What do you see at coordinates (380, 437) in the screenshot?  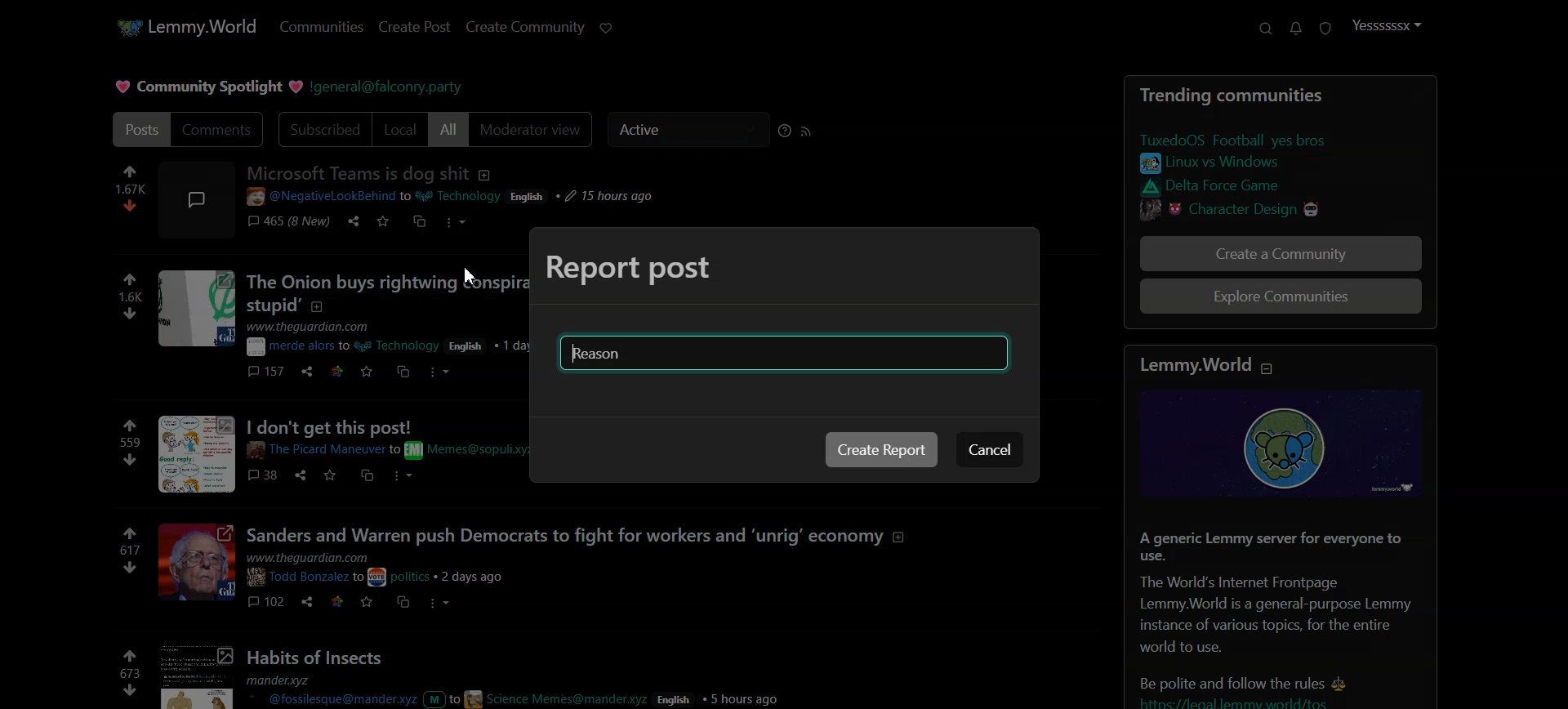 I see `` at bounding box center [380, 437].